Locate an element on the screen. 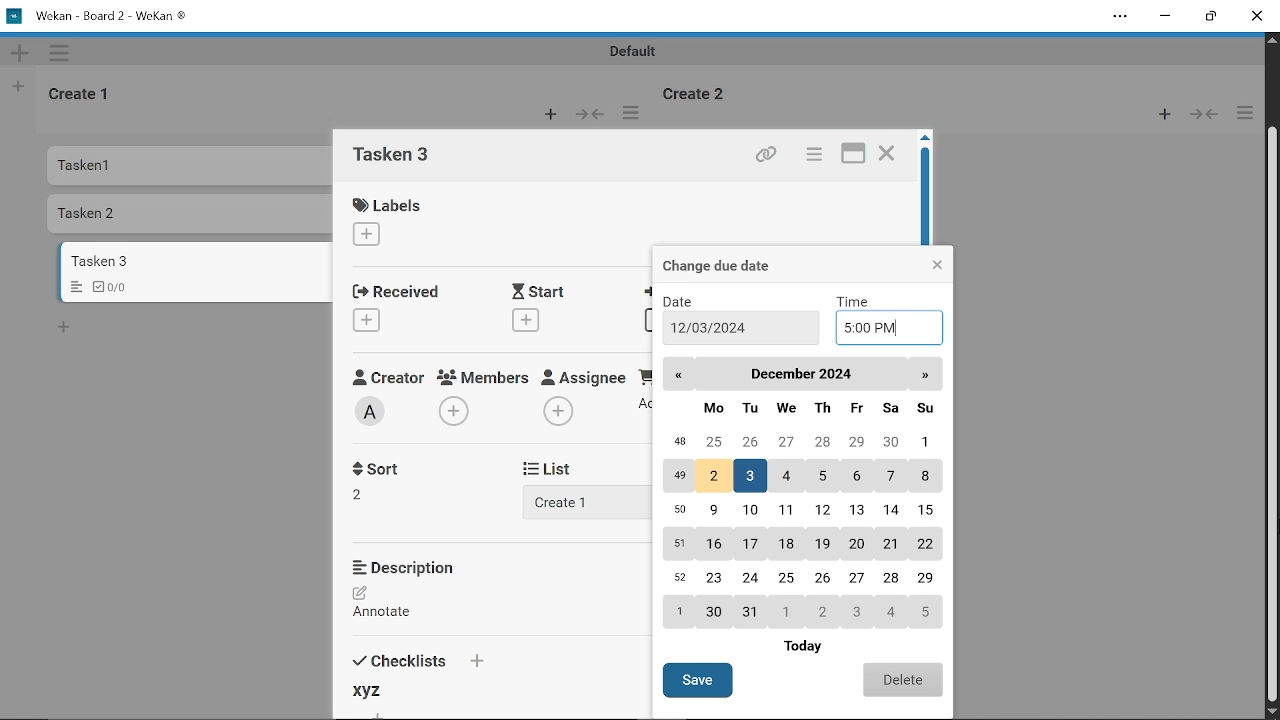 This screenshot has width=1280, height=720. Delete is located at coordinates (902, 679).